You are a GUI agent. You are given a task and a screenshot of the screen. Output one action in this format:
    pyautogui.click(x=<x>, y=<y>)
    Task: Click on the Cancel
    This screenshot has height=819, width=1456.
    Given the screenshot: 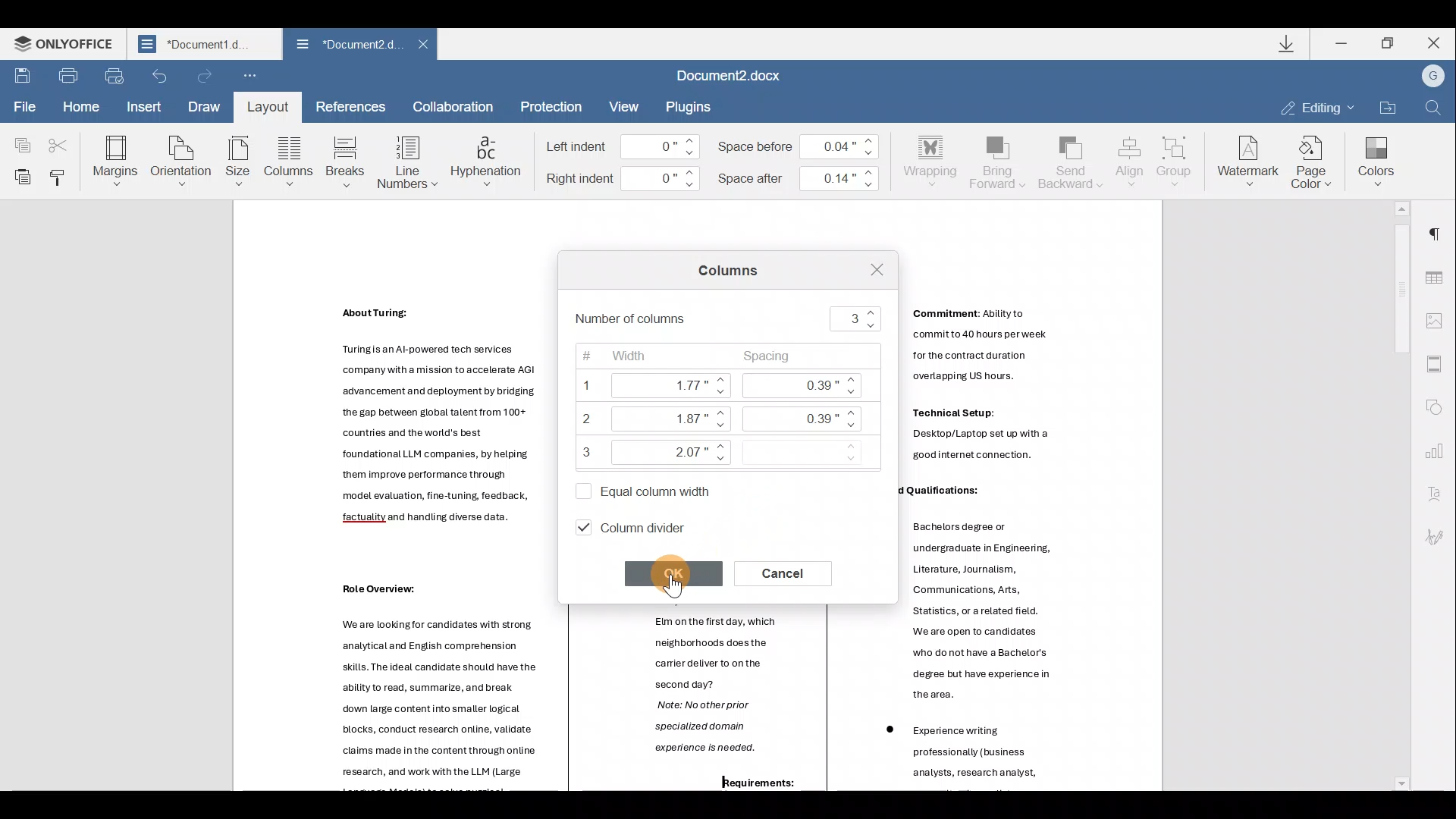 What is the action you would take?
    pyautogui.click(x=791, y=572)
    